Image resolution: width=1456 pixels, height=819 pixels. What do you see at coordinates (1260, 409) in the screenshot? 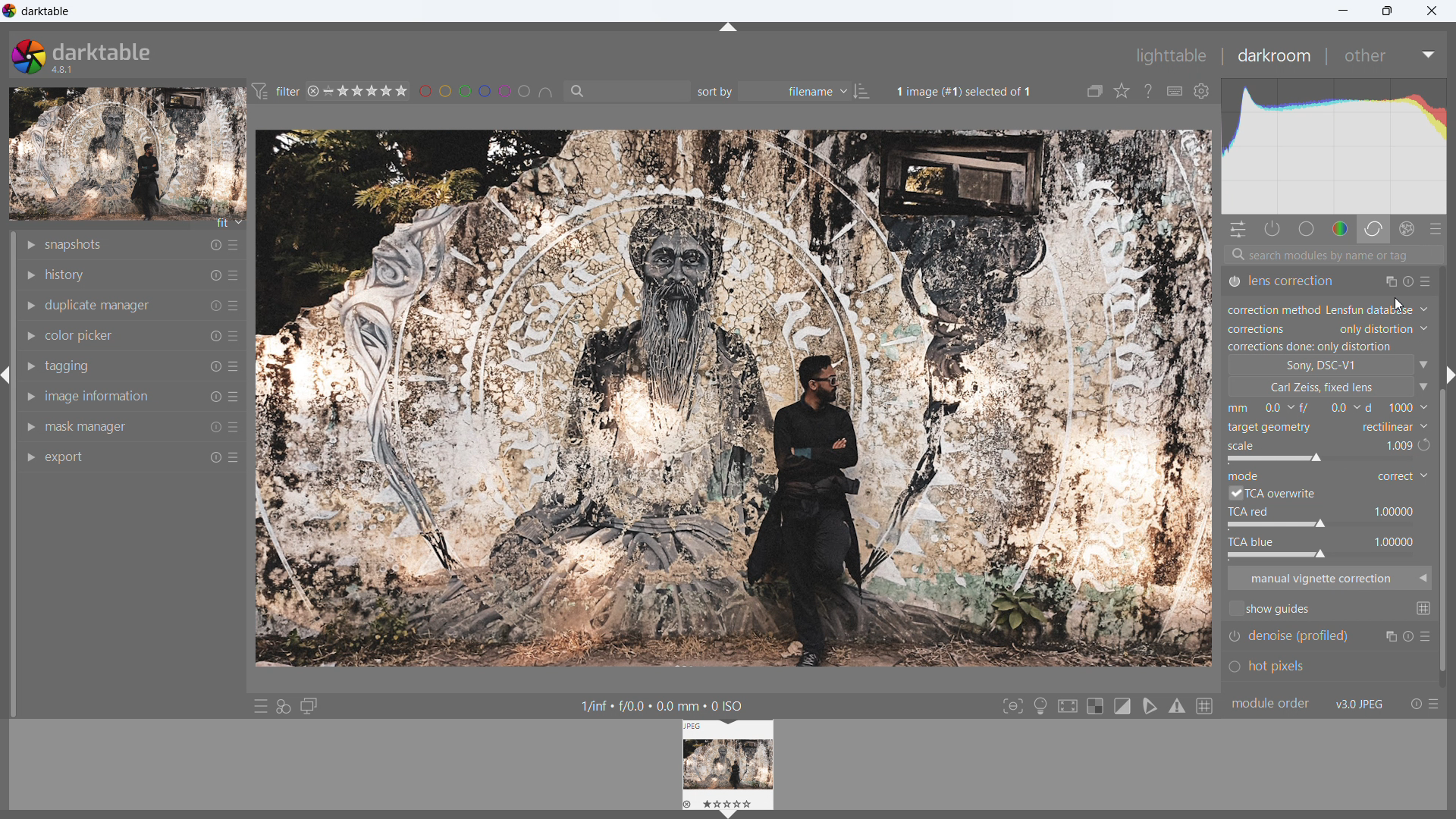
I see `focal length` at bounding box center [1260, 409].